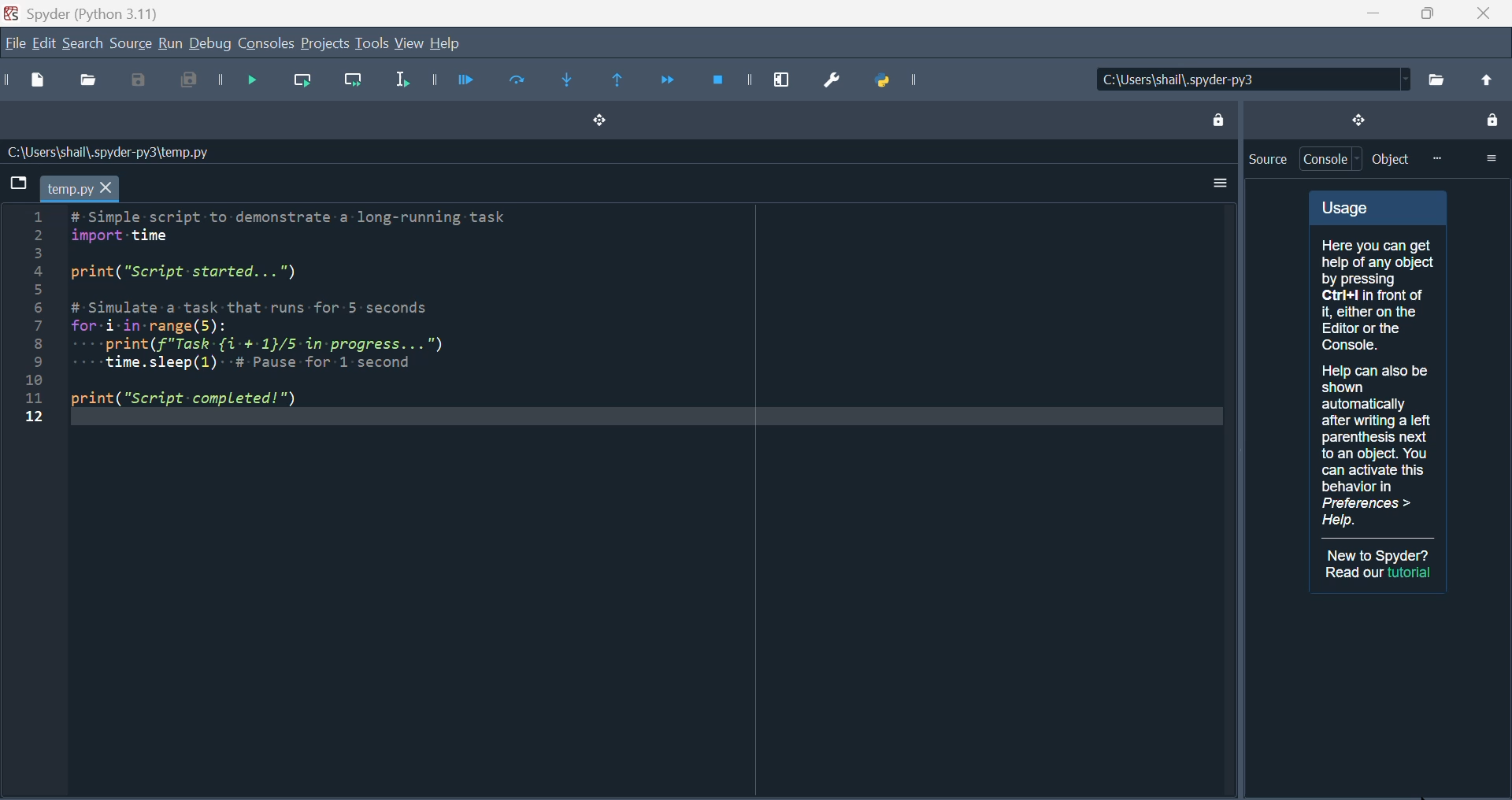  What do you see at coordinates (1267, 159) in the screenshot?
I see `Source` at bounding box center [1267, 159].